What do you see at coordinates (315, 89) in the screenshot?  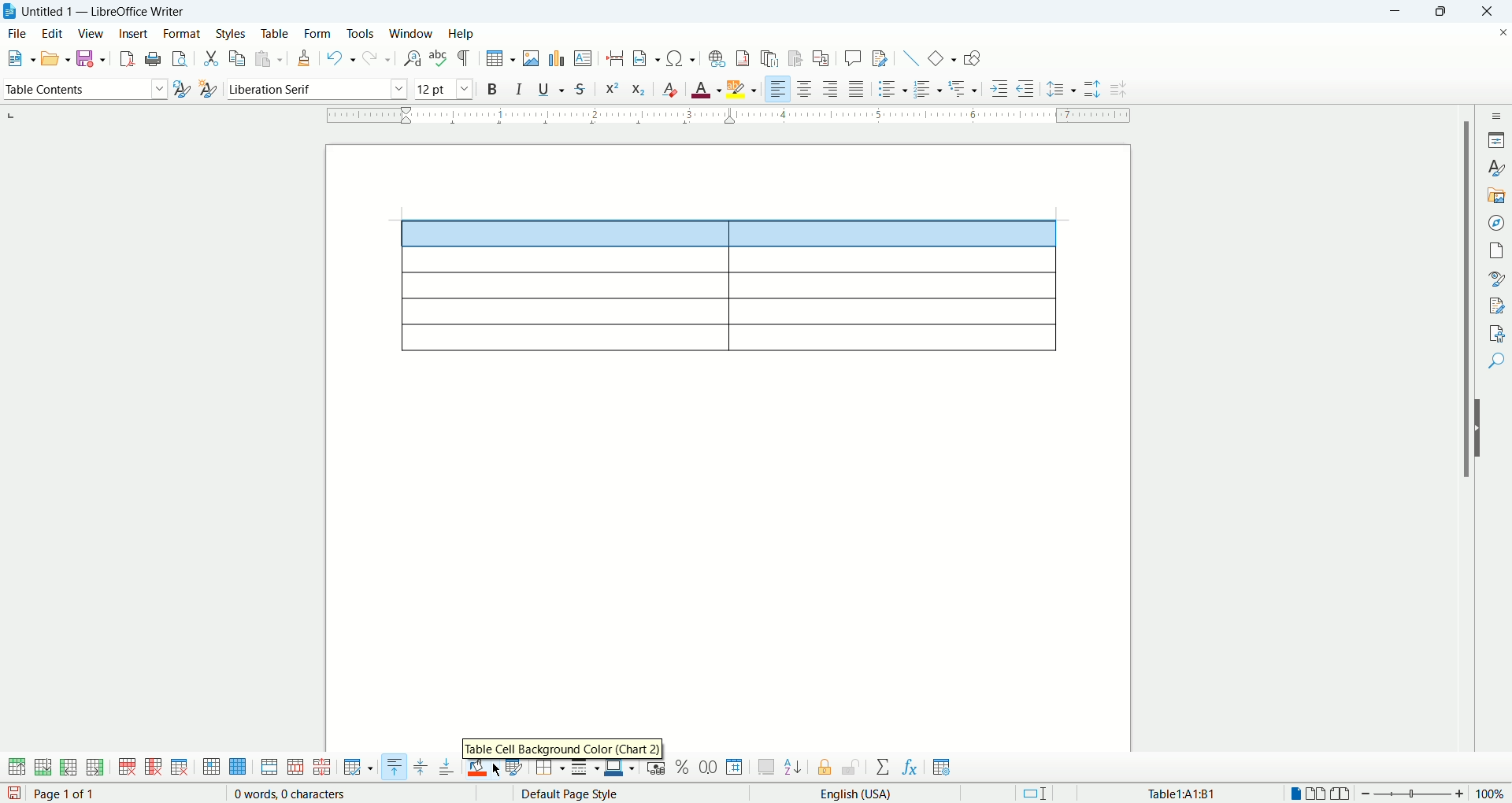 I see `font name` at bounding box center [315, 89].